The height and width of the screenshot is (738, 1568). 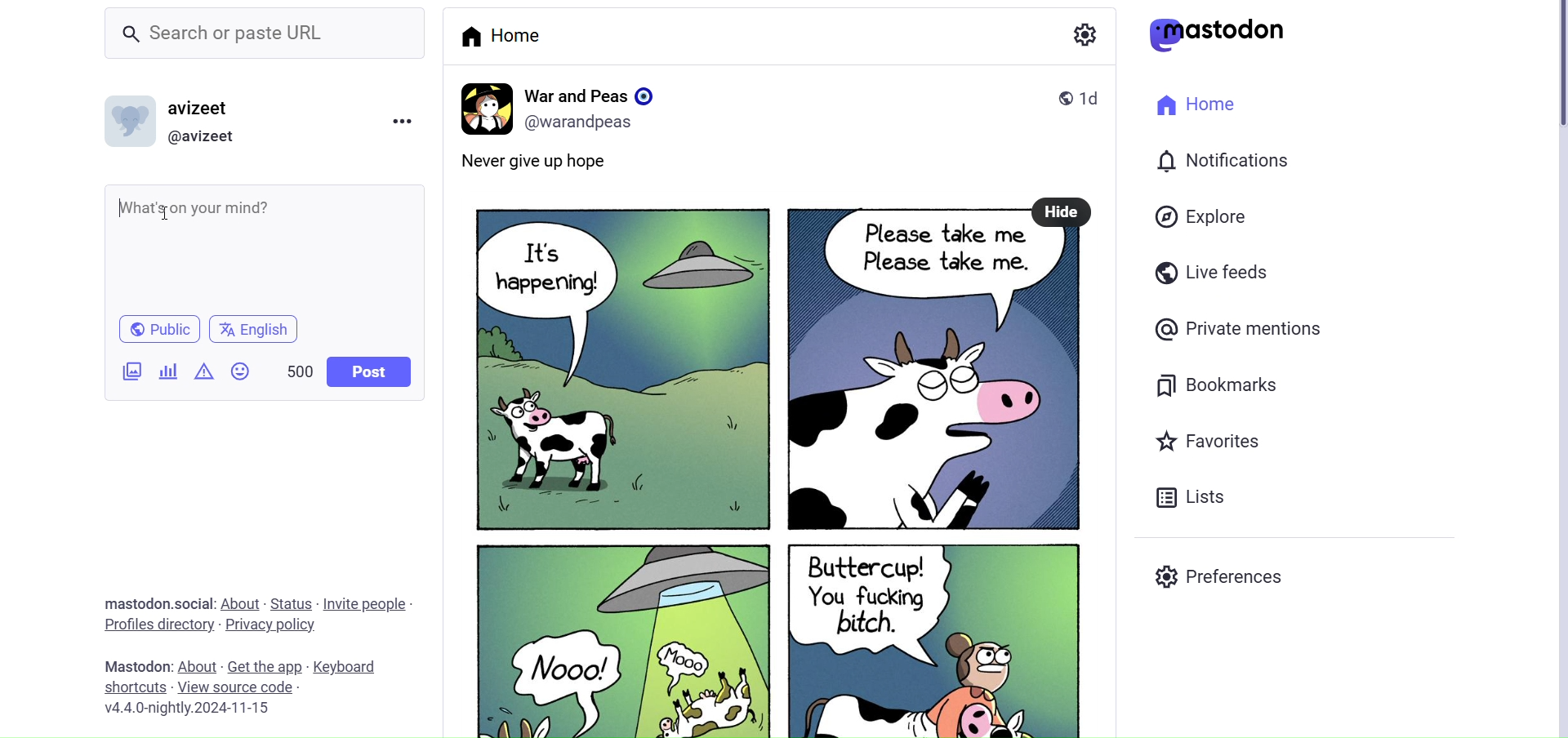 What do you see at coordinates (133, 124) in the screenshot?
I see `Profile Picture` at bounding box center [133, 124].